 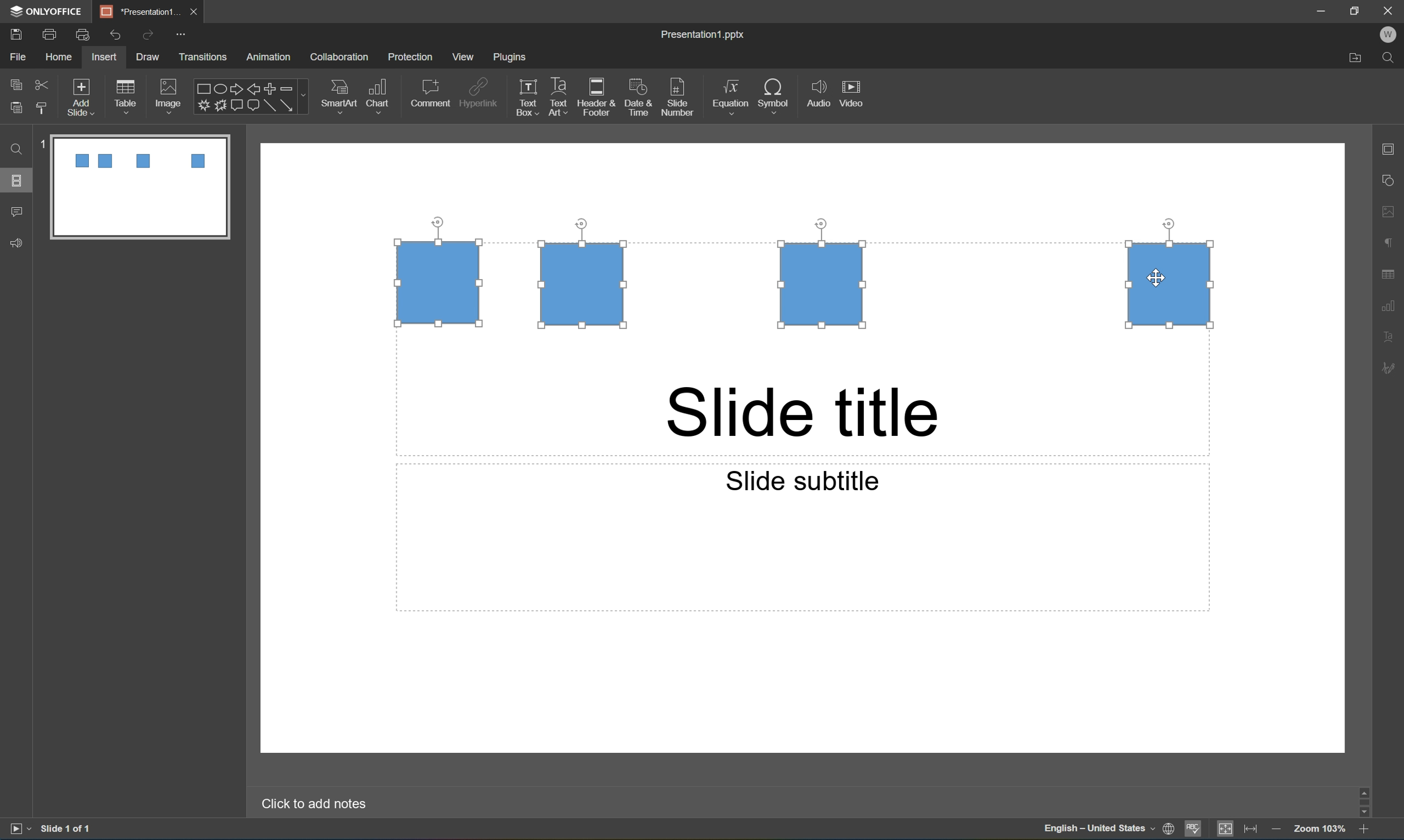 What do you see at coordinates (1356, 8) in the screenshot?
I see `restore down` at bounding box center [1356, 8].